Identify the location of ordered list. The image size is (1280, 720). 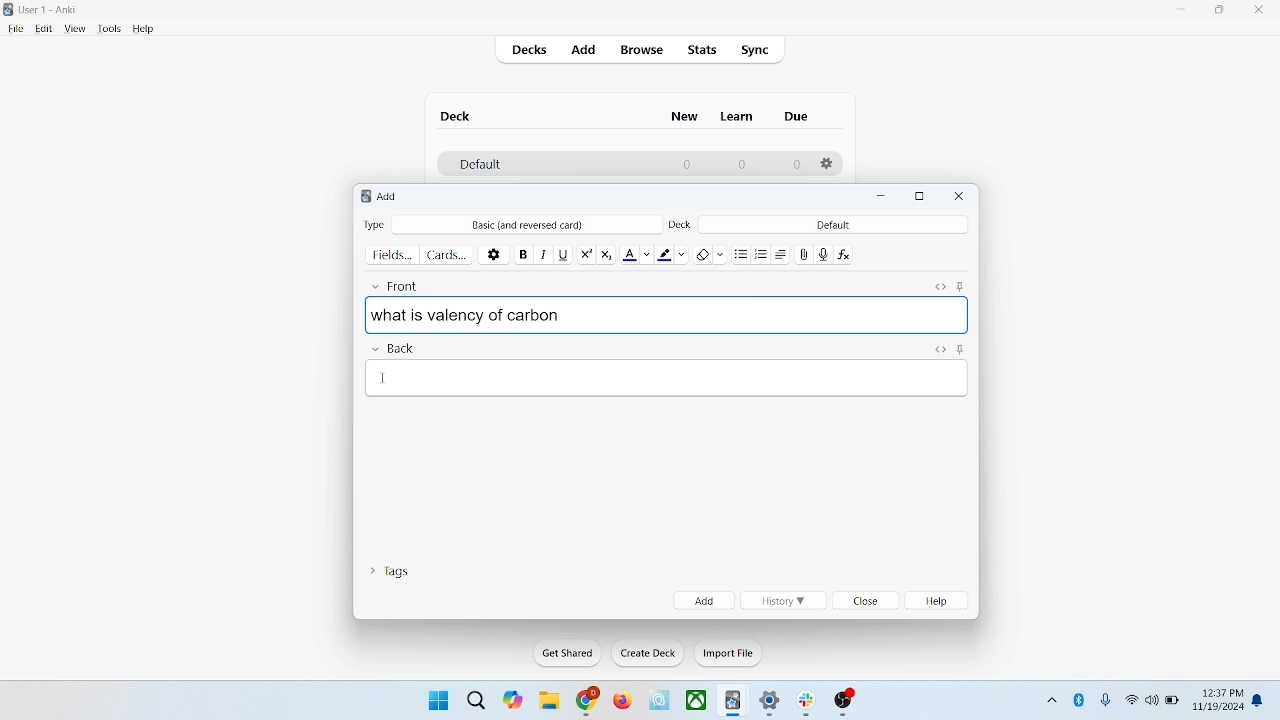
(764, 255).